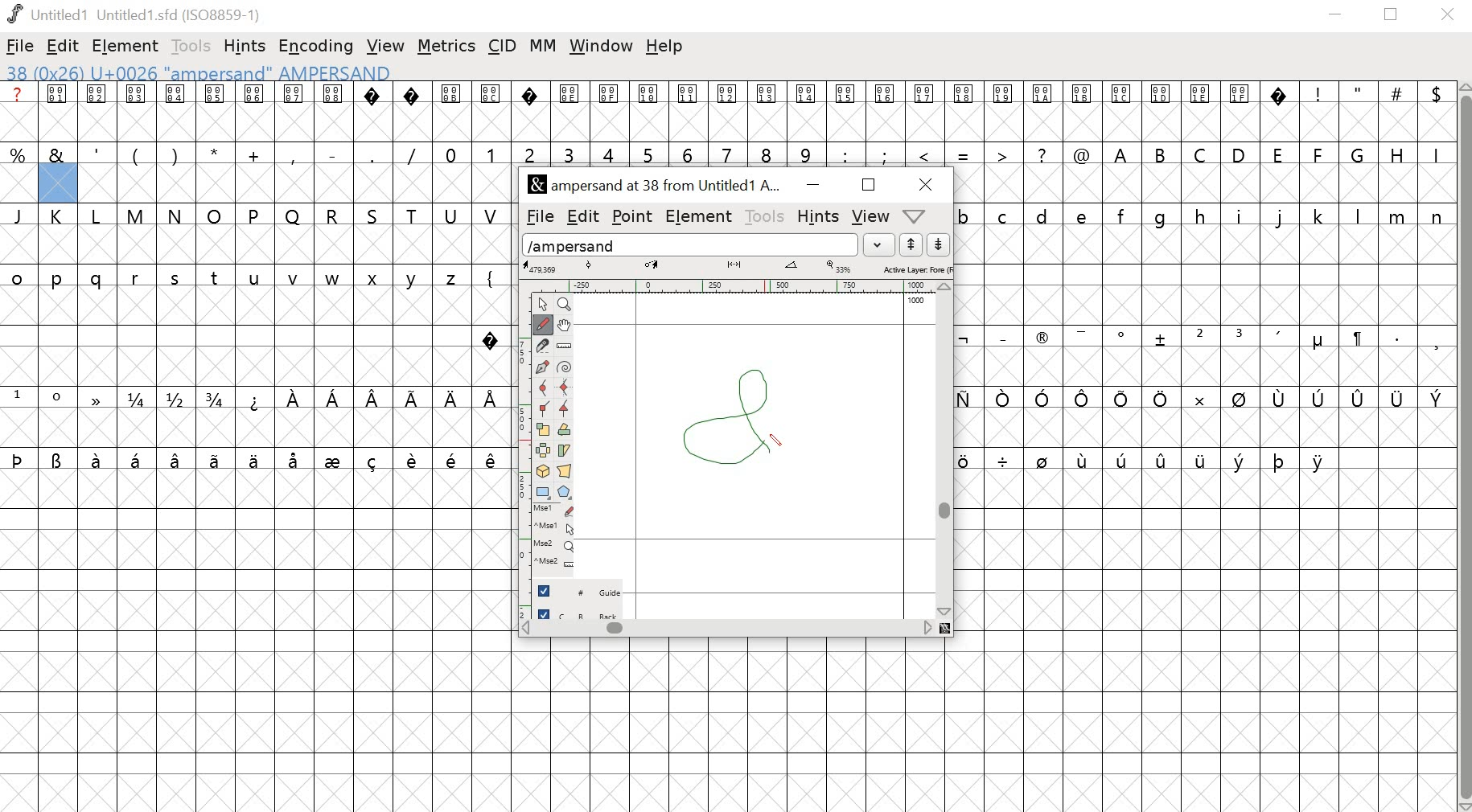 Image resolution: width=1472 pixels, height=812 pixels. Describe the element at coordinates (175, 278) in the screenshot. I see `s` at that location.